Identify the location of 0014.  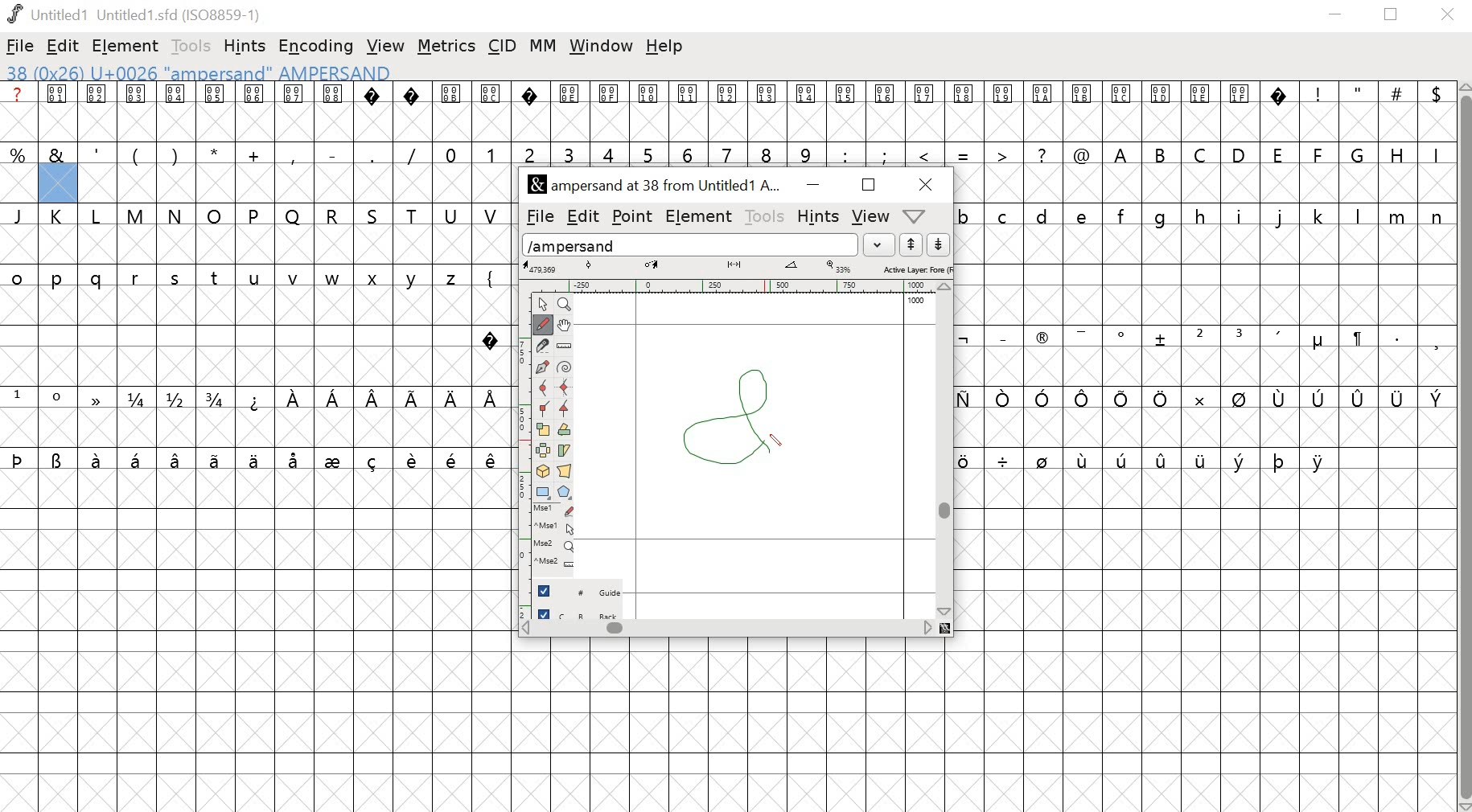
(807, 112).